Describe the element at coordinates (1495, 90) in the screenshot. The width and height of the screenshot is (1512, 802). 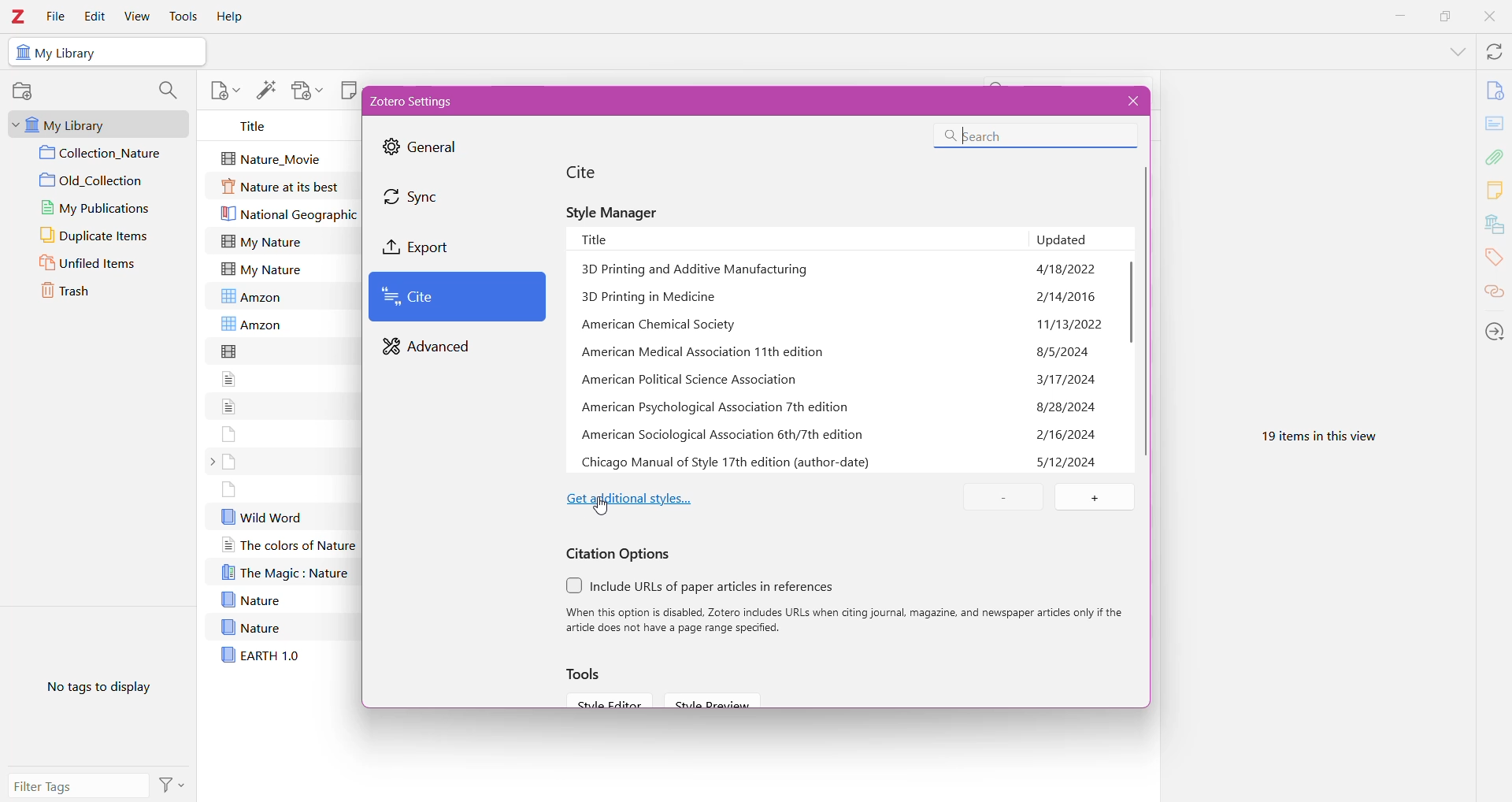
I see `Info` at that location.